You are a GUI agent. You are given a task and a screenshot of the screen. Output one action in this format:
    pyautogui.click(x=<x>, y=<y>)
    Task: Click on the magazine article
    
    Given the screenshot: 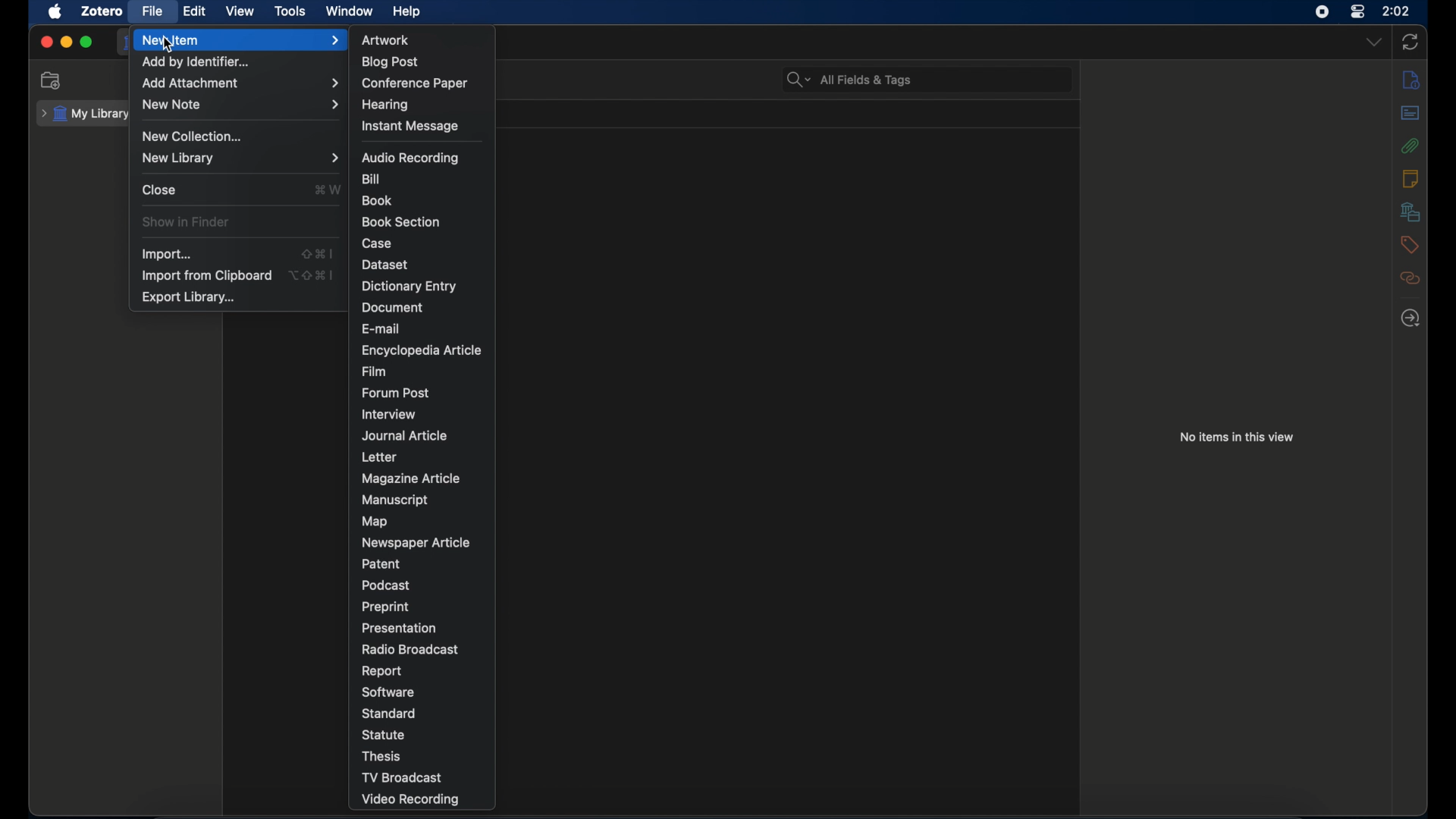 What is the action you would take?
    pyautogui.click(x=411, y=478)
    